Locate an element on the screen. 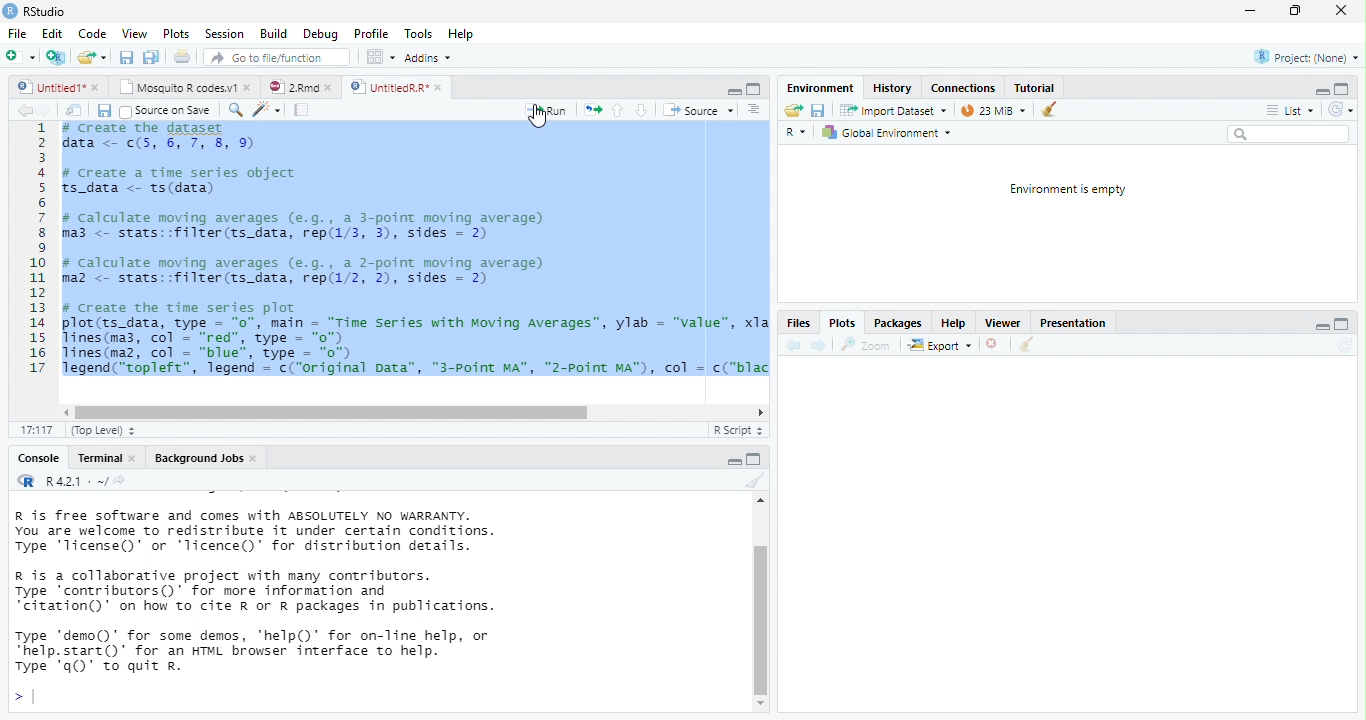 The height and width of the screenshot is (720, 1366). close is located at coordinates (441, 88).